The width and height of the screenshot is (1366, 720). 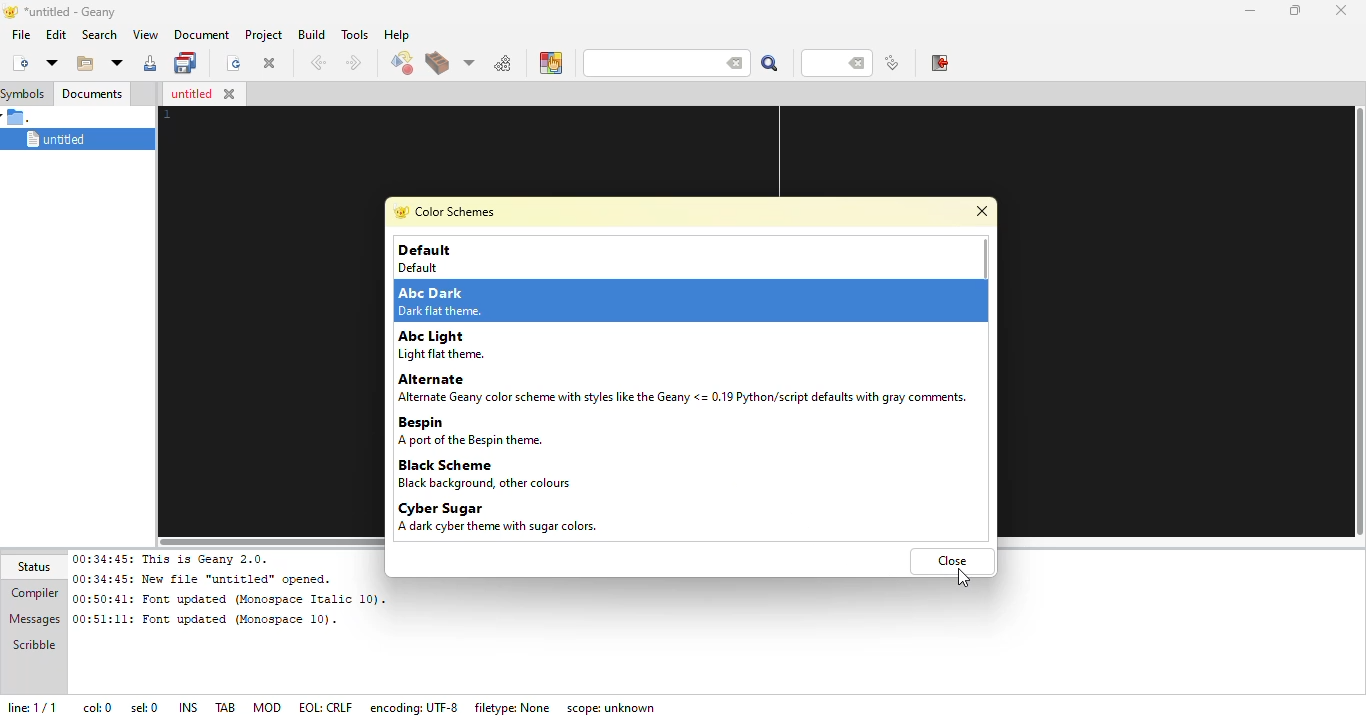 What do you see at coordinates (768, 63) in the screenshot?
I see `search` at bounding box center [768, 63].